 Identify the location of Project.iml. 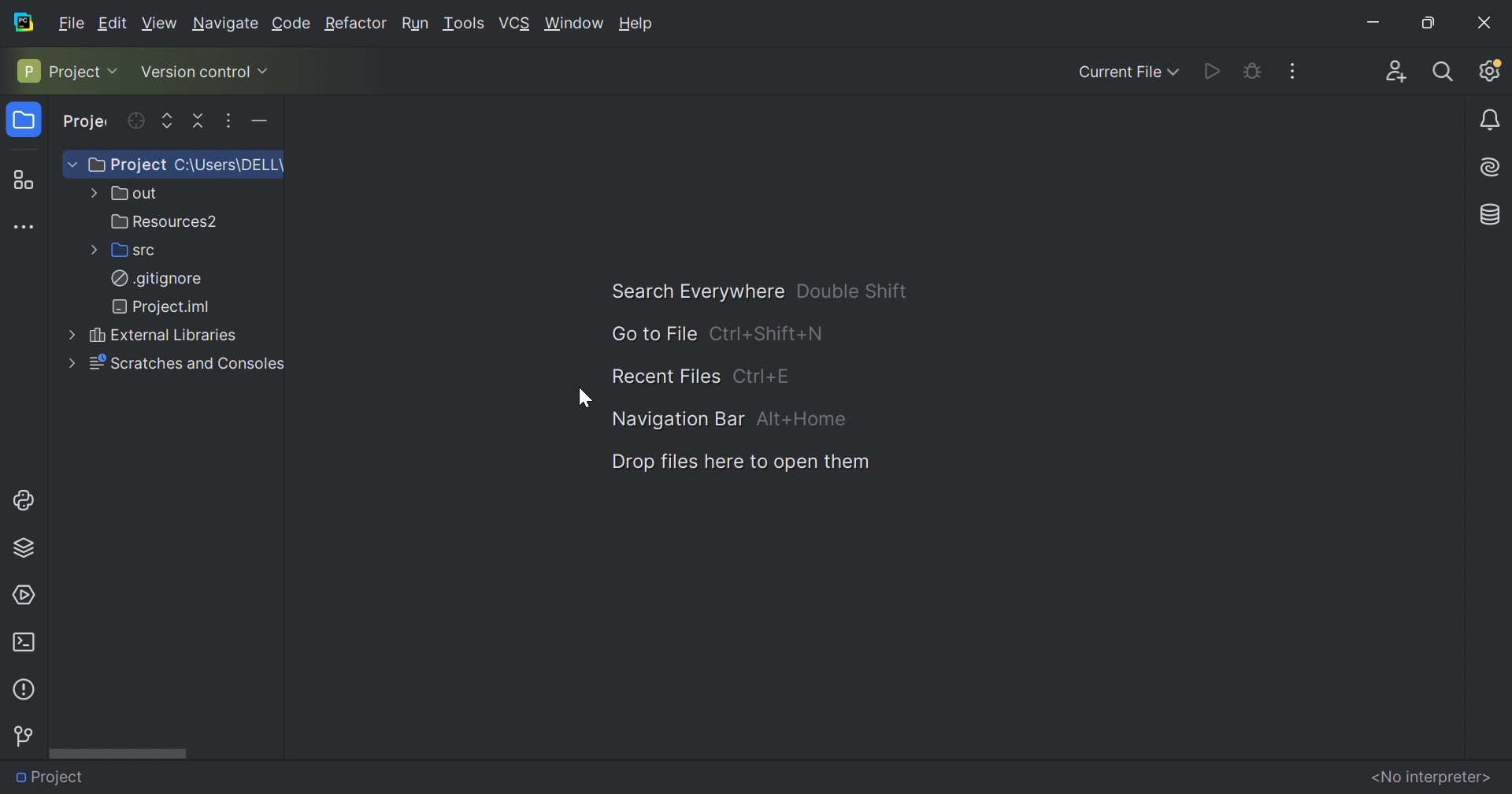
(161, 306).